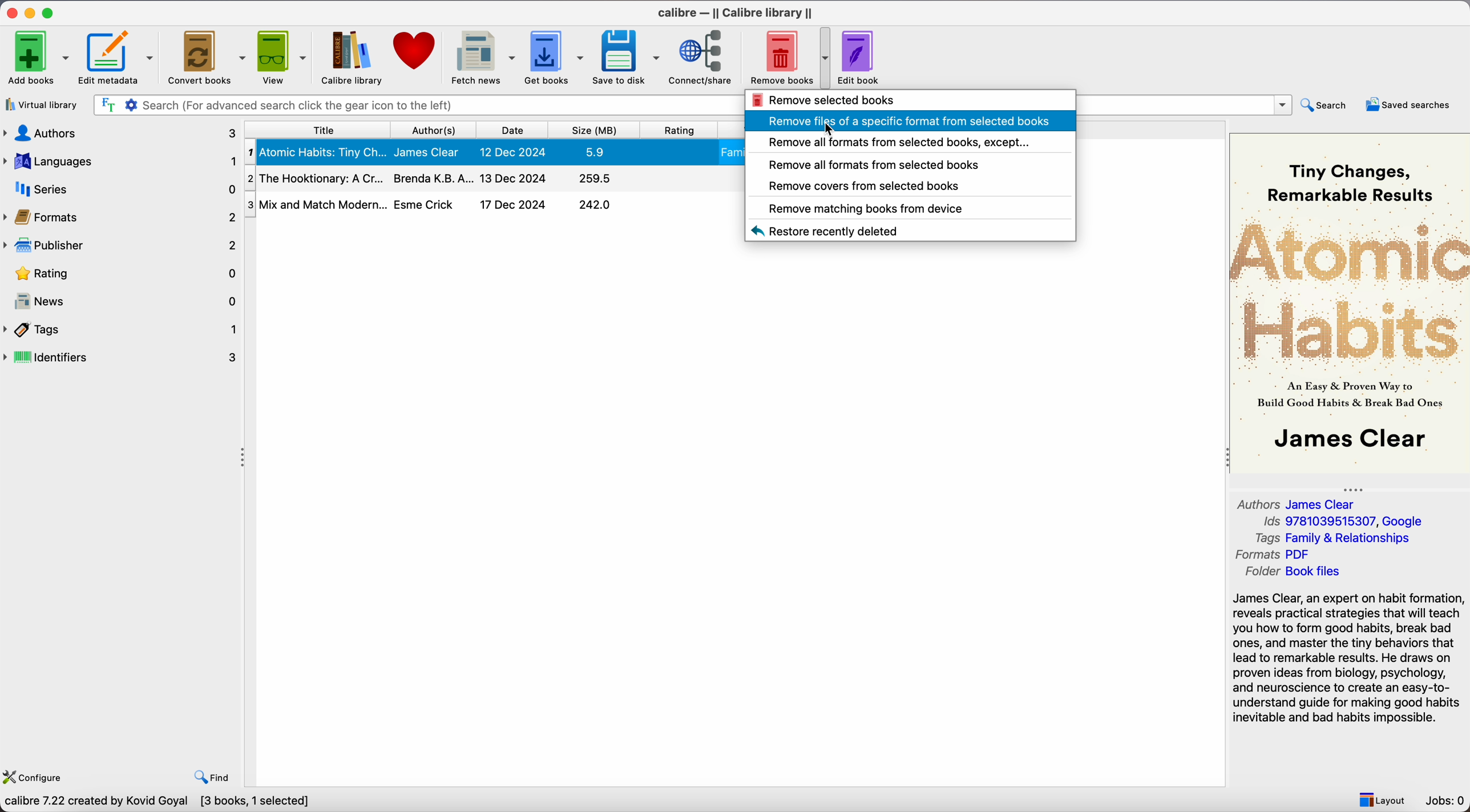  I want to click on click on remove files of a specific format from selected books, so click(910, 123).